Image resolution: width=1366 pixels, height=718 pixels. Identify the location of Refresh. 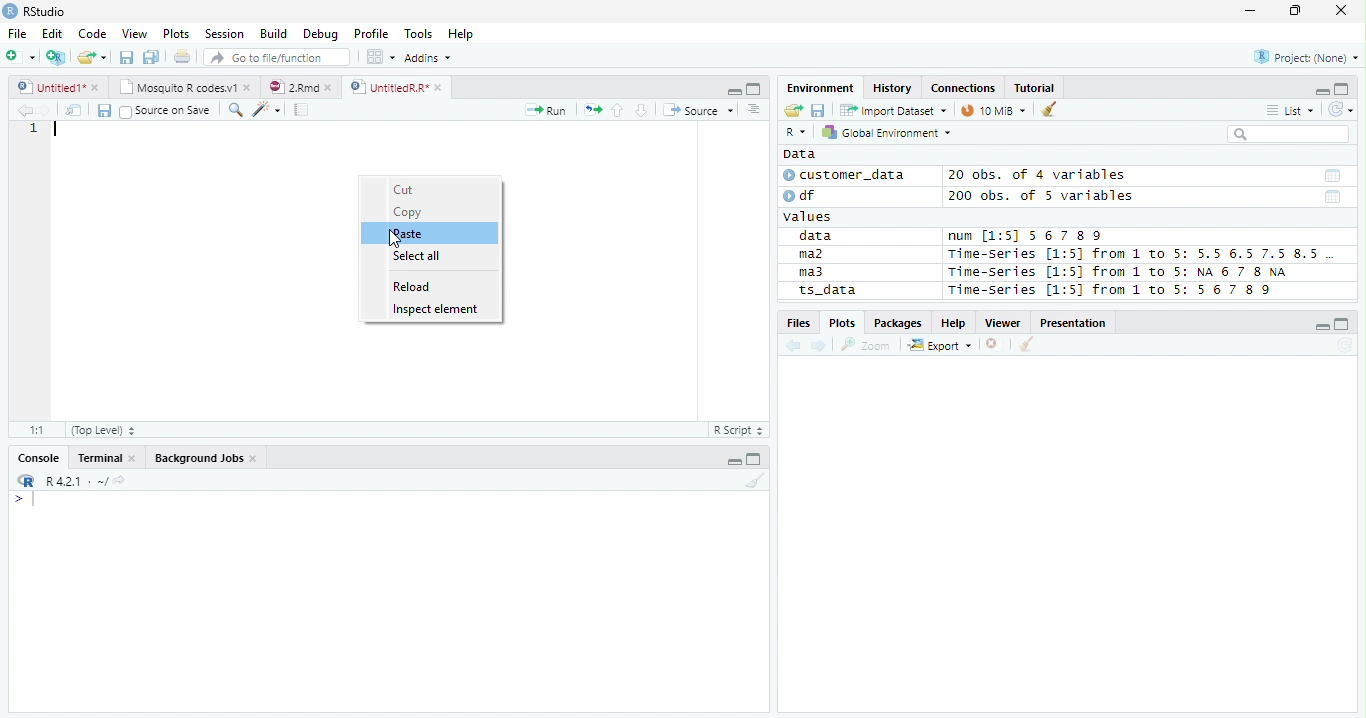
(1341, 107).